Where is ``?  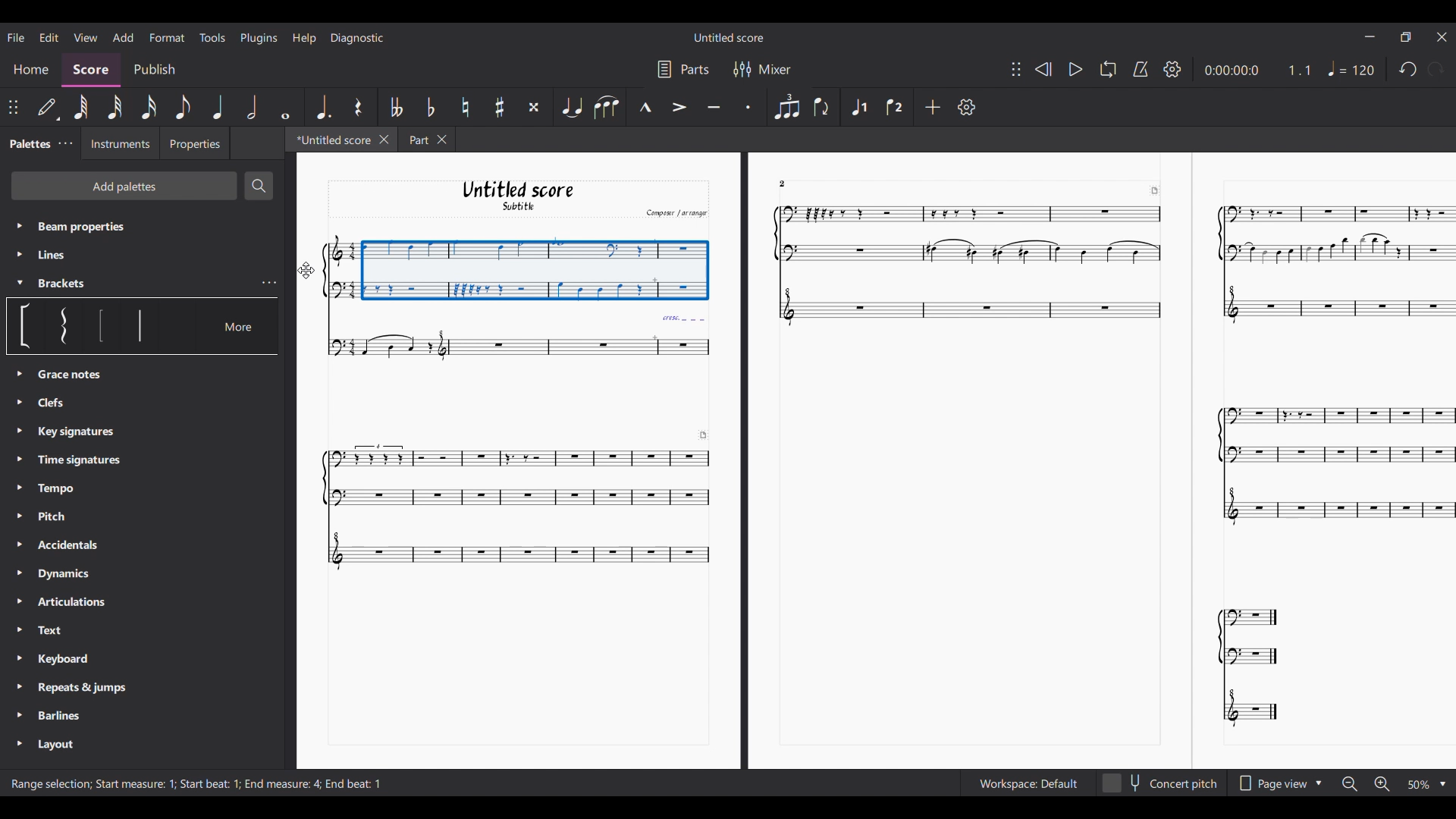
 is located at coordinates (972, 319).